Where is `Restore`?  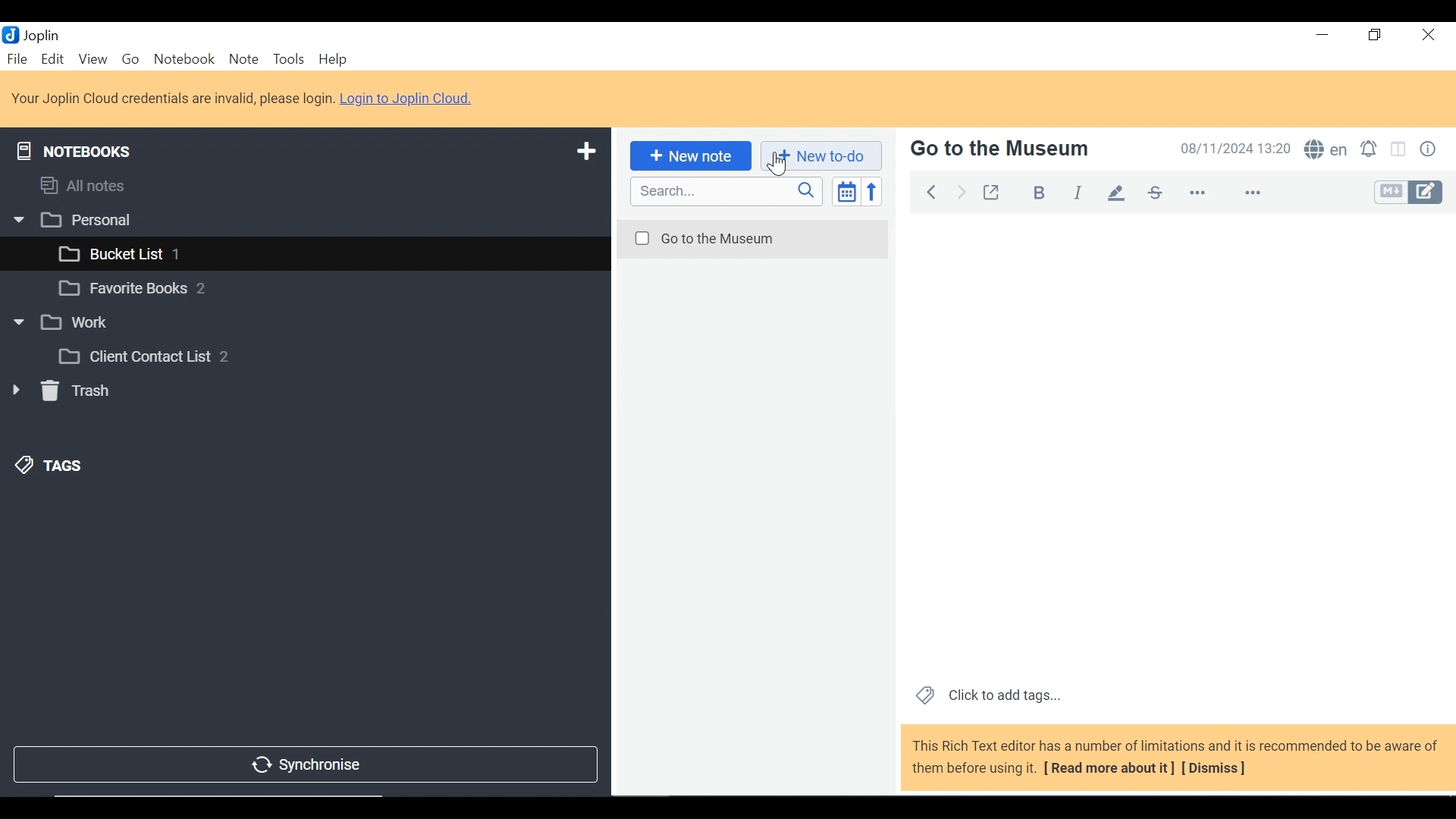 Restore is located at coordinates (1375, 37).